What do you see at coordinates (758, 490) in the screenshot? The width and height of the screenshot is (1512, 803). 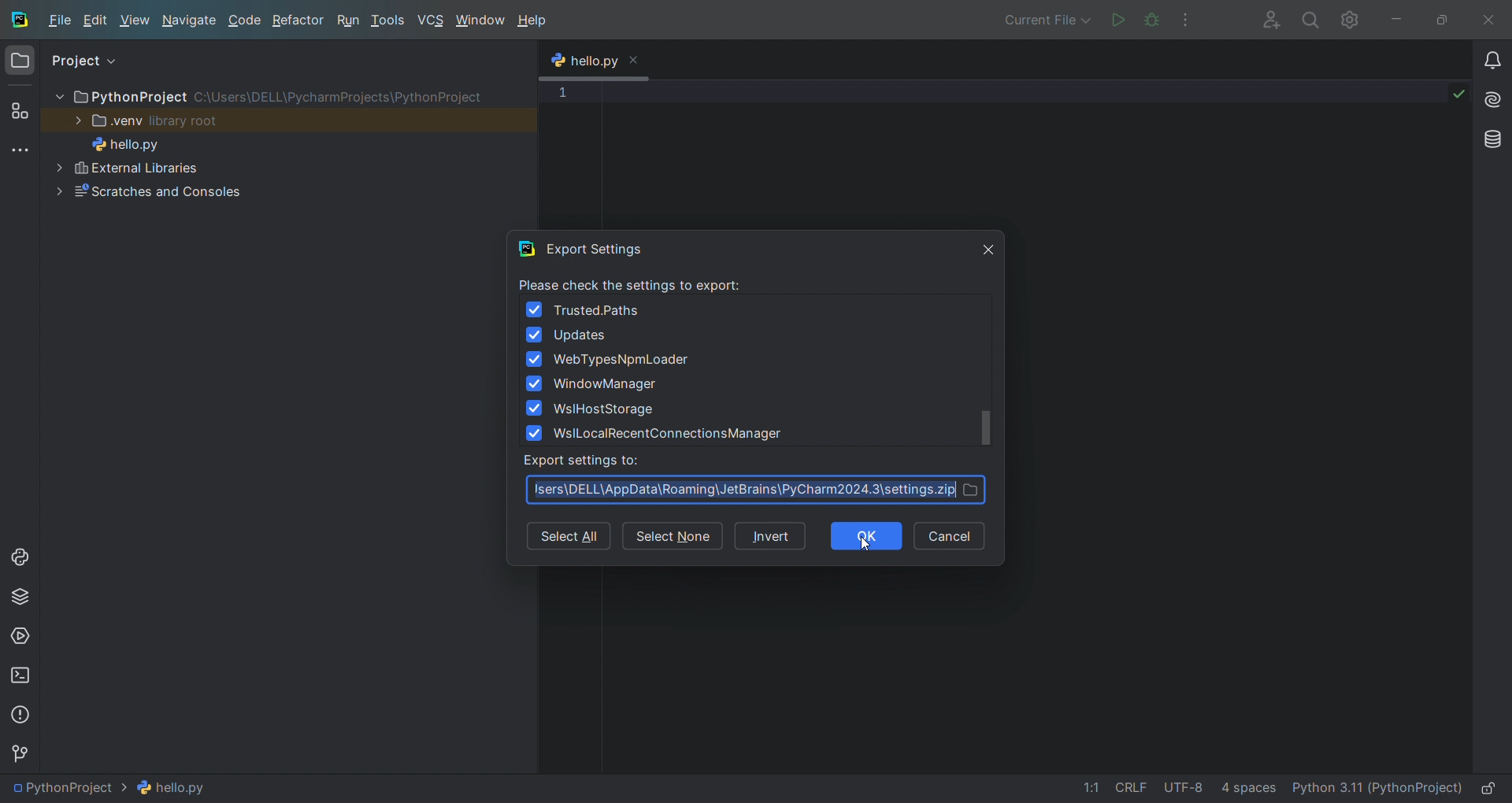 I see `file location` at bounding box center [758, 490].